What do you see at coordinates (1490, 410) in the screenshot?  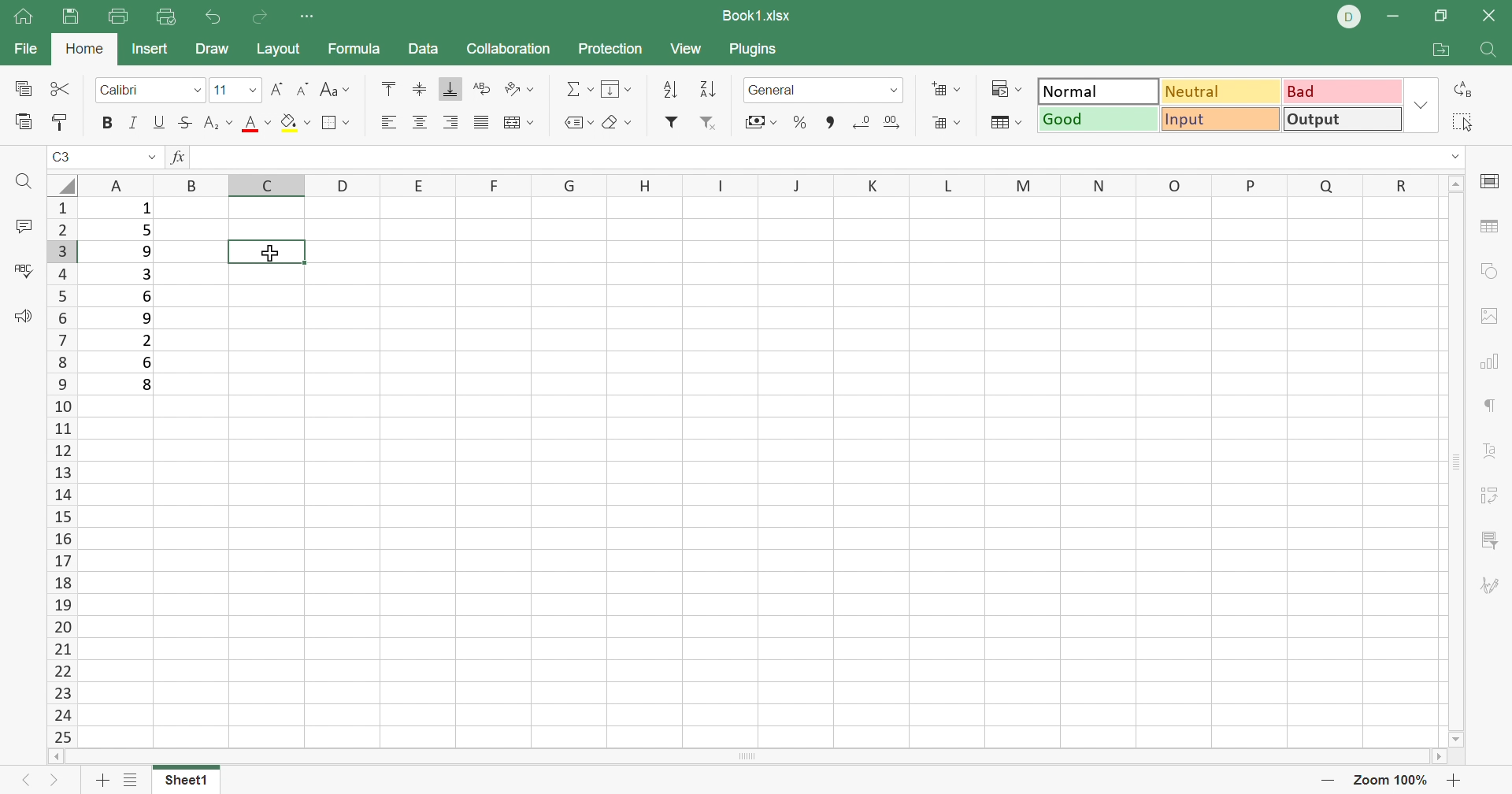 I see `Paragraph settings` at bounding box center [1490, 410].